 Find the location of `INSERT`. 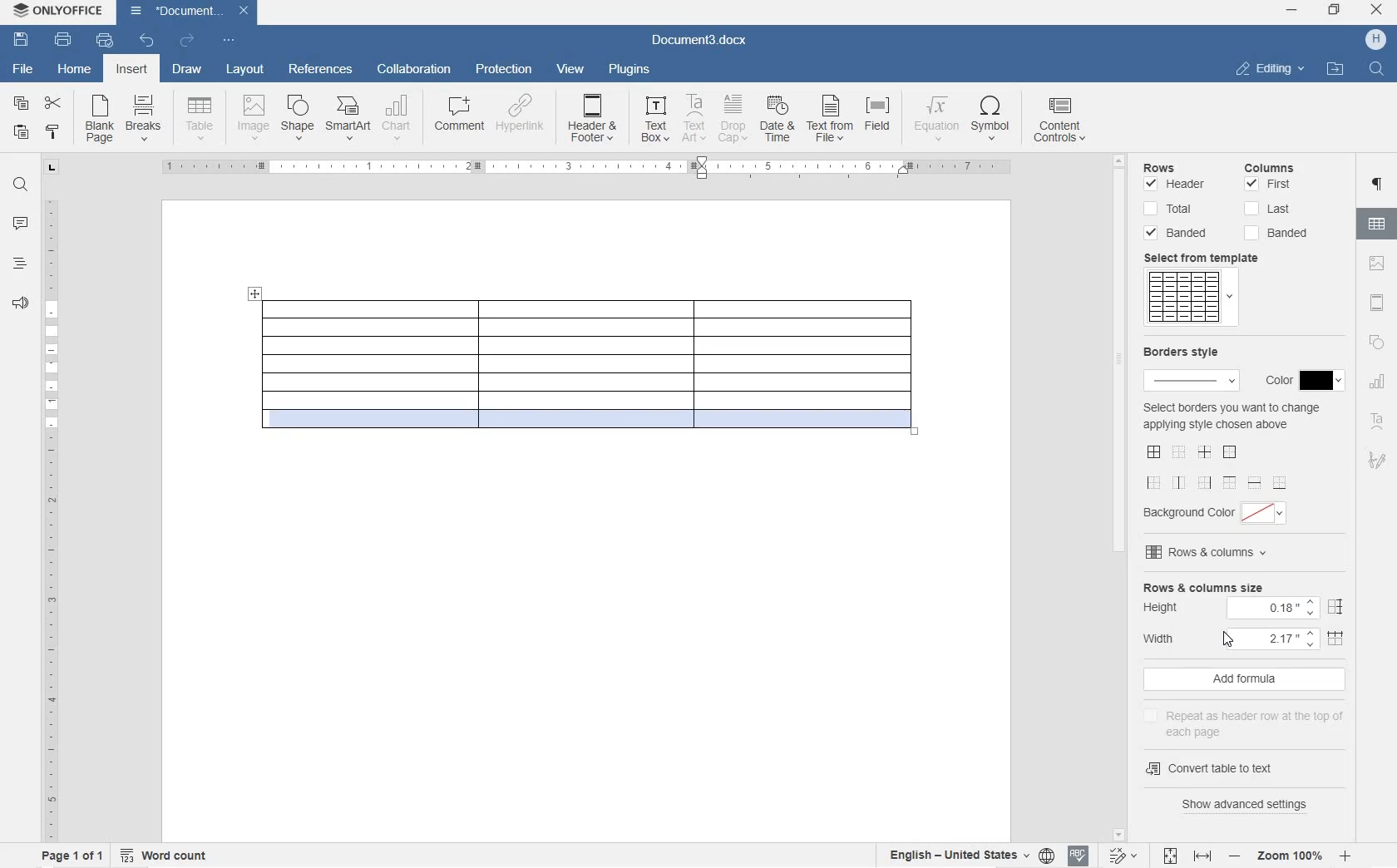

INSERT is located at coordinates (131, 69).